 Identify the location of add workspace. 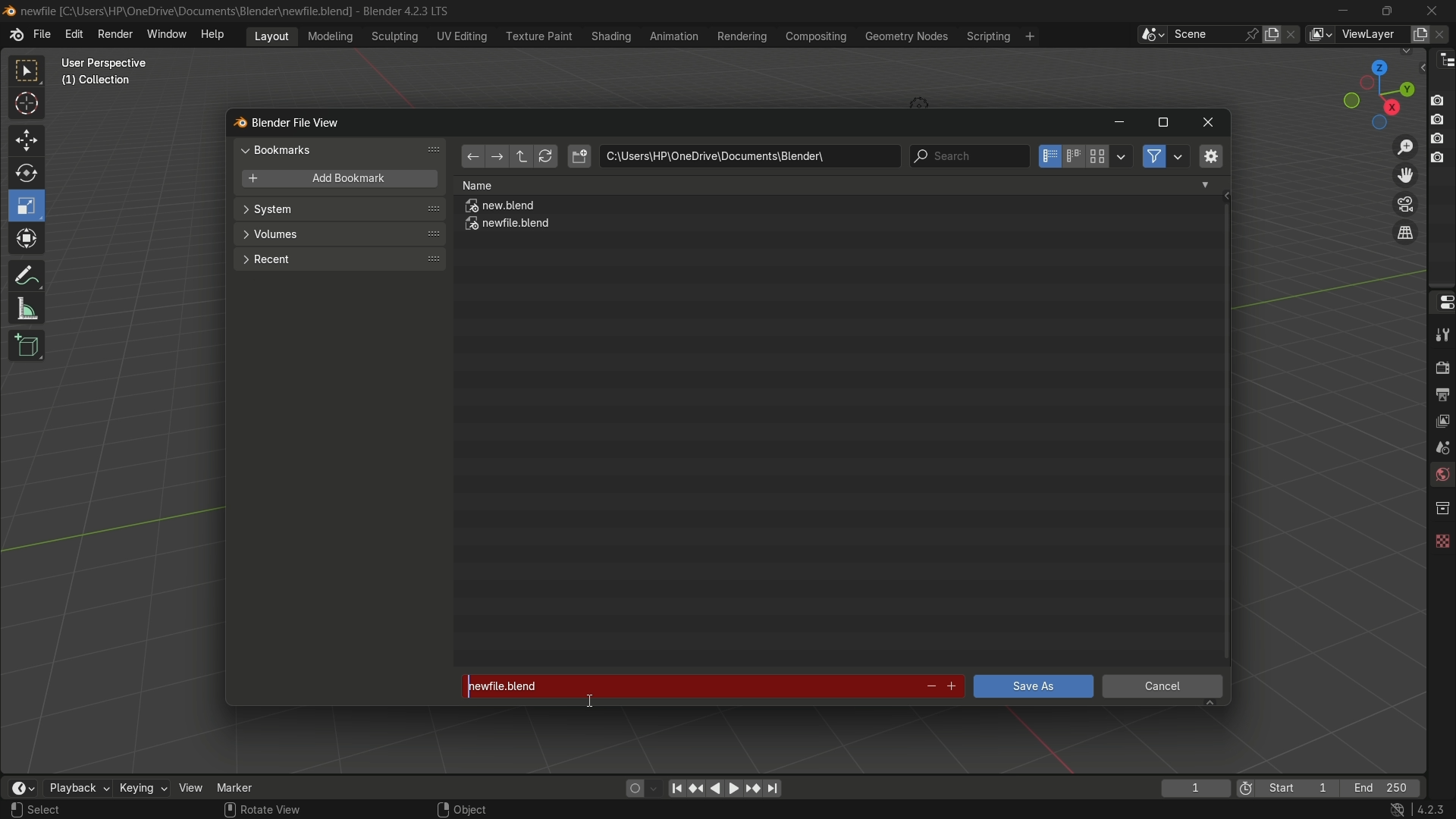
(1028, 36).